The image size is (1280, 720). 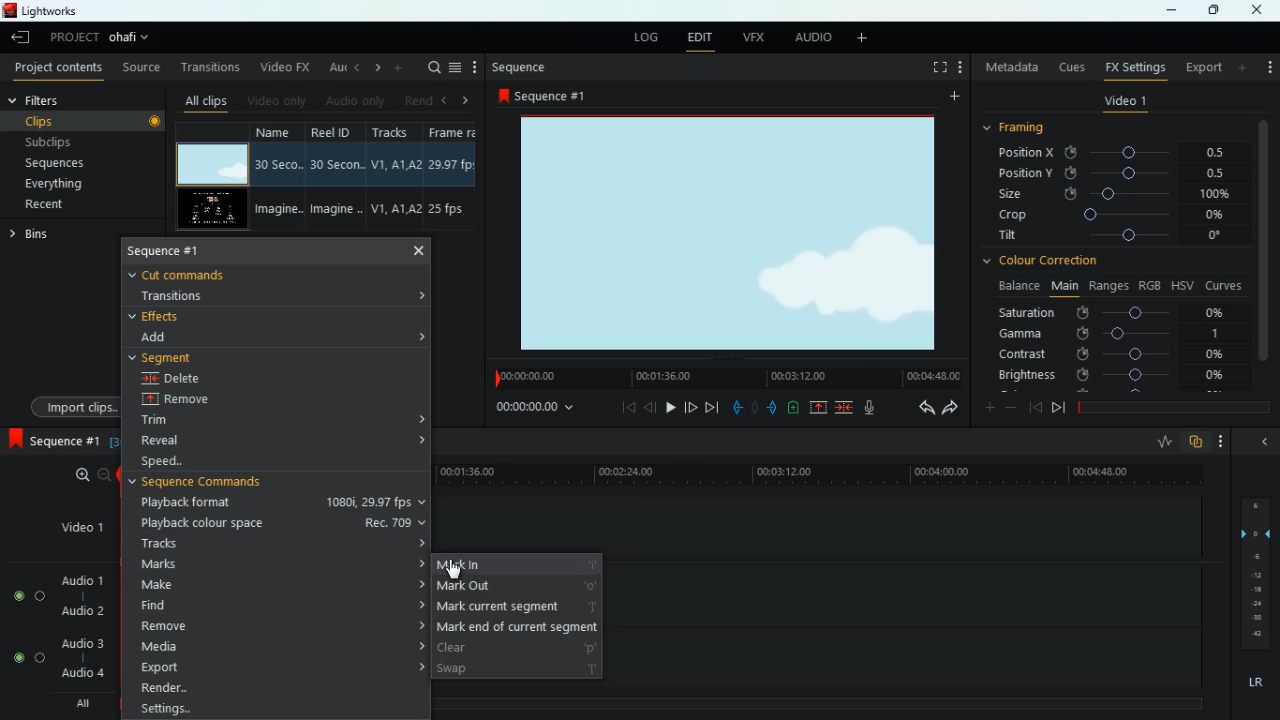 I want to click on find, so click(x=283, y=605).